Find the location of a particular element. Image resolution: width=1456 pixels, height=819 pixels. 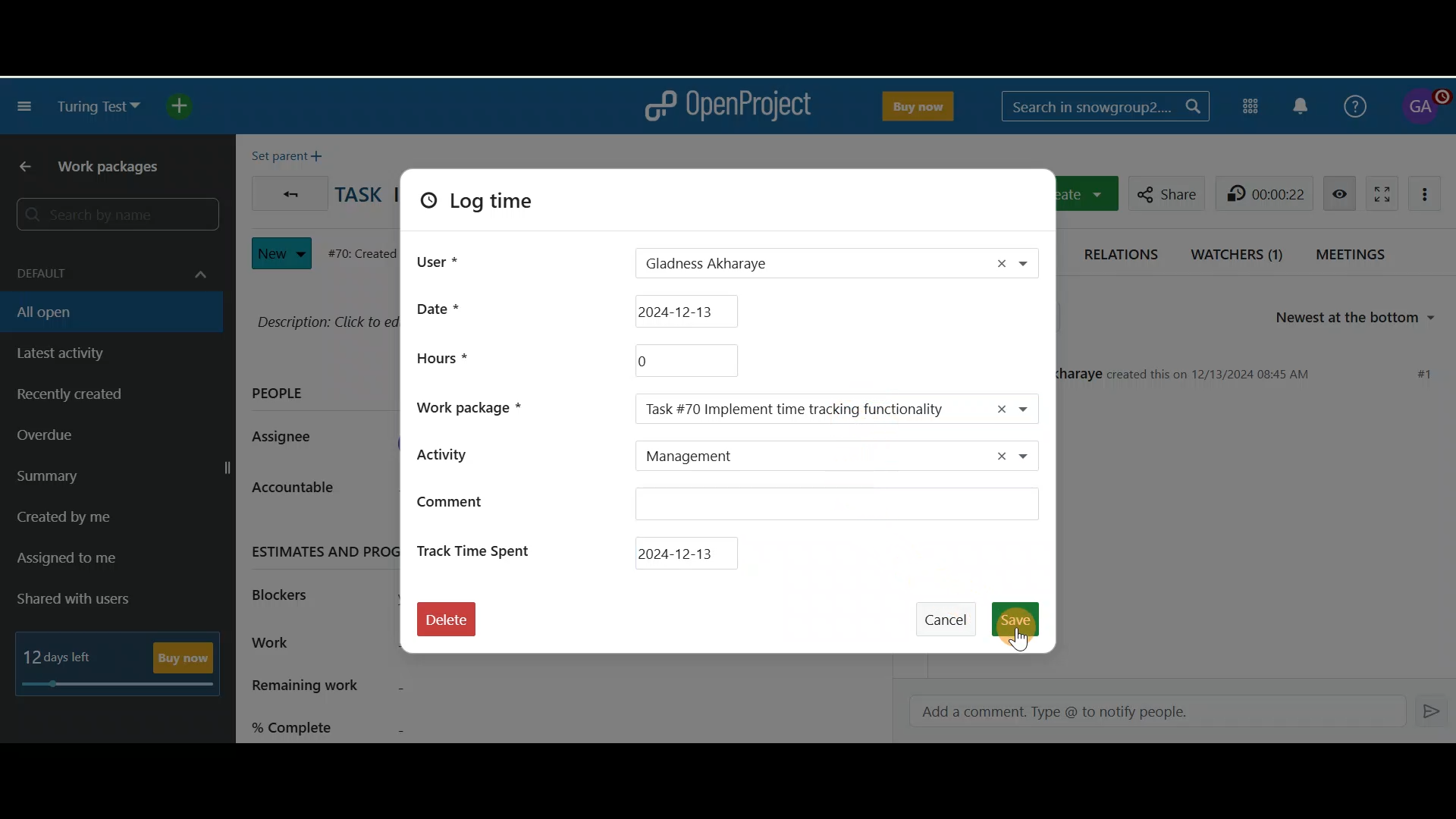

Latest activity is located at coordinates (83, 354).